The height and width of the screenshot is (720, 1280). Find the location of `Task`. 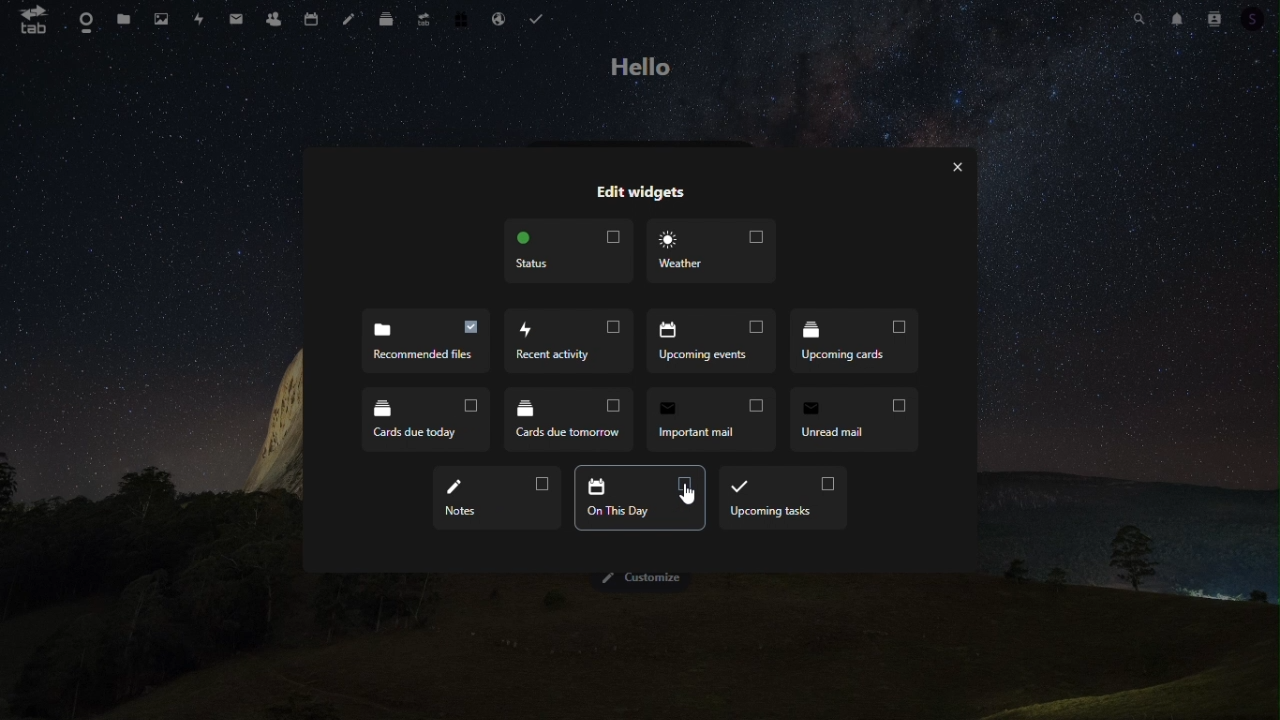

Task is located at coordinates (543, 21).